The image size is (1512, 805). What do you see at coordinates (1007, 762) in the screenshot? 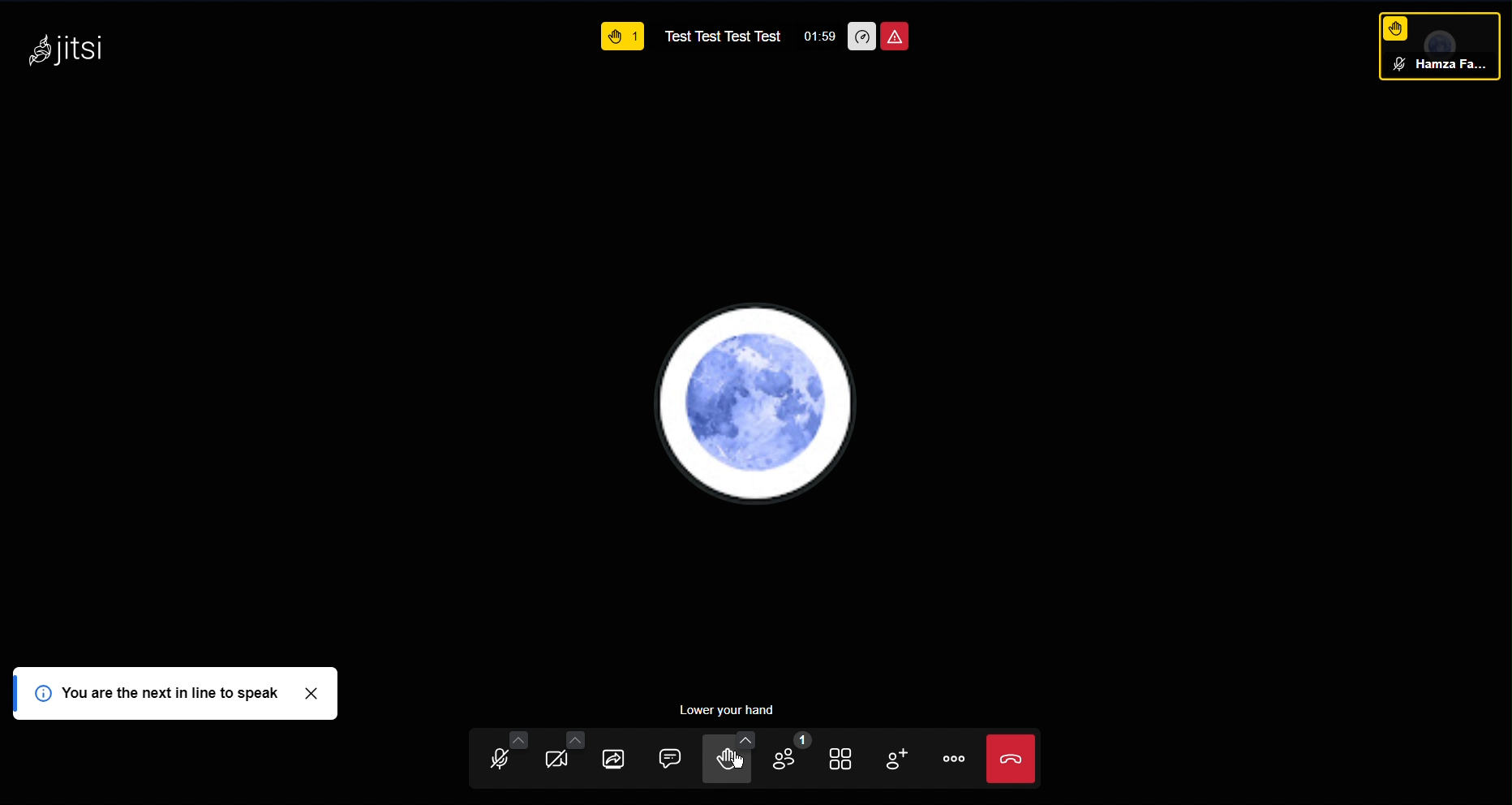
I see `Close` at bounding box center [1007, 762].